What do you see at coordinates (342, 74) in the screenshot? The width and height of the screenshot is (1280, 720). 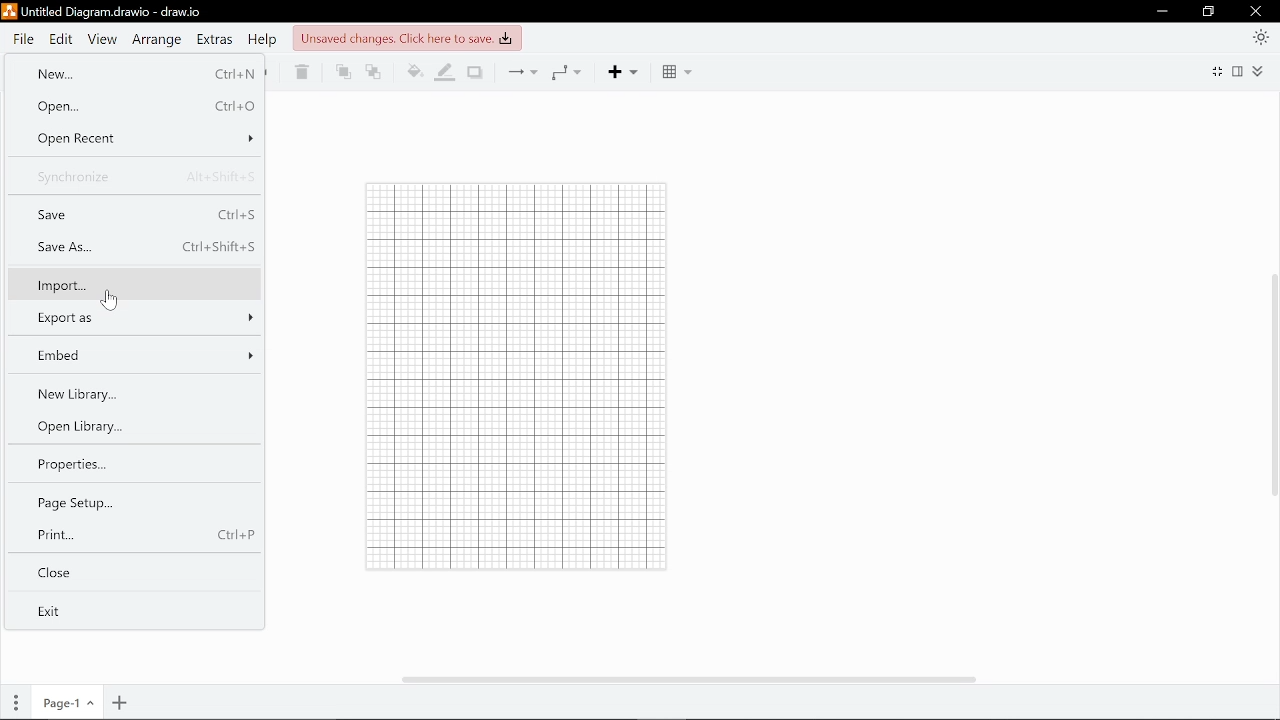 I see `To front` at bounding box center [342, 74].